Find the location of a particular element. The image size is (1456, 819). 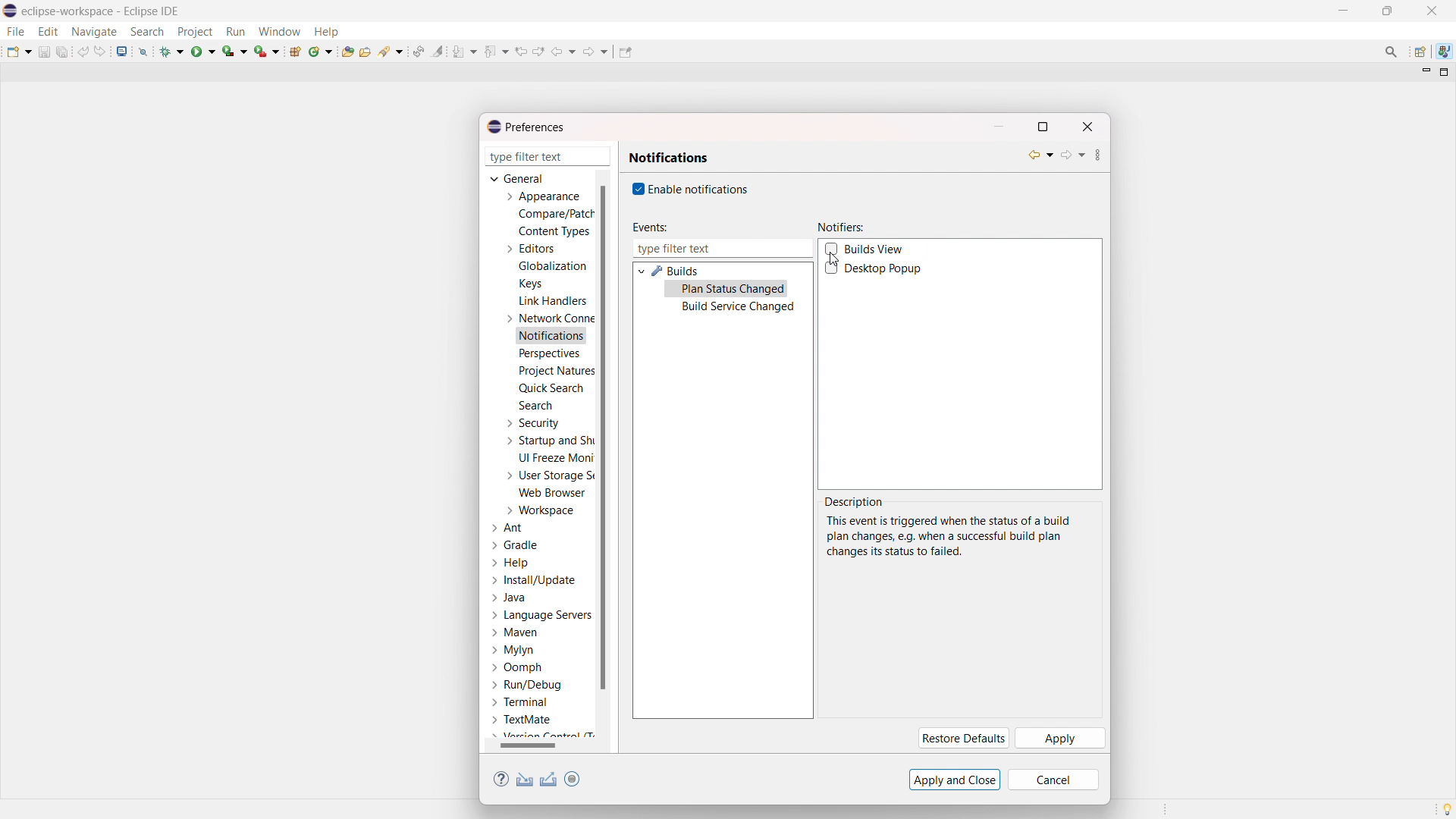

builds is located at coordinates (676, 271).